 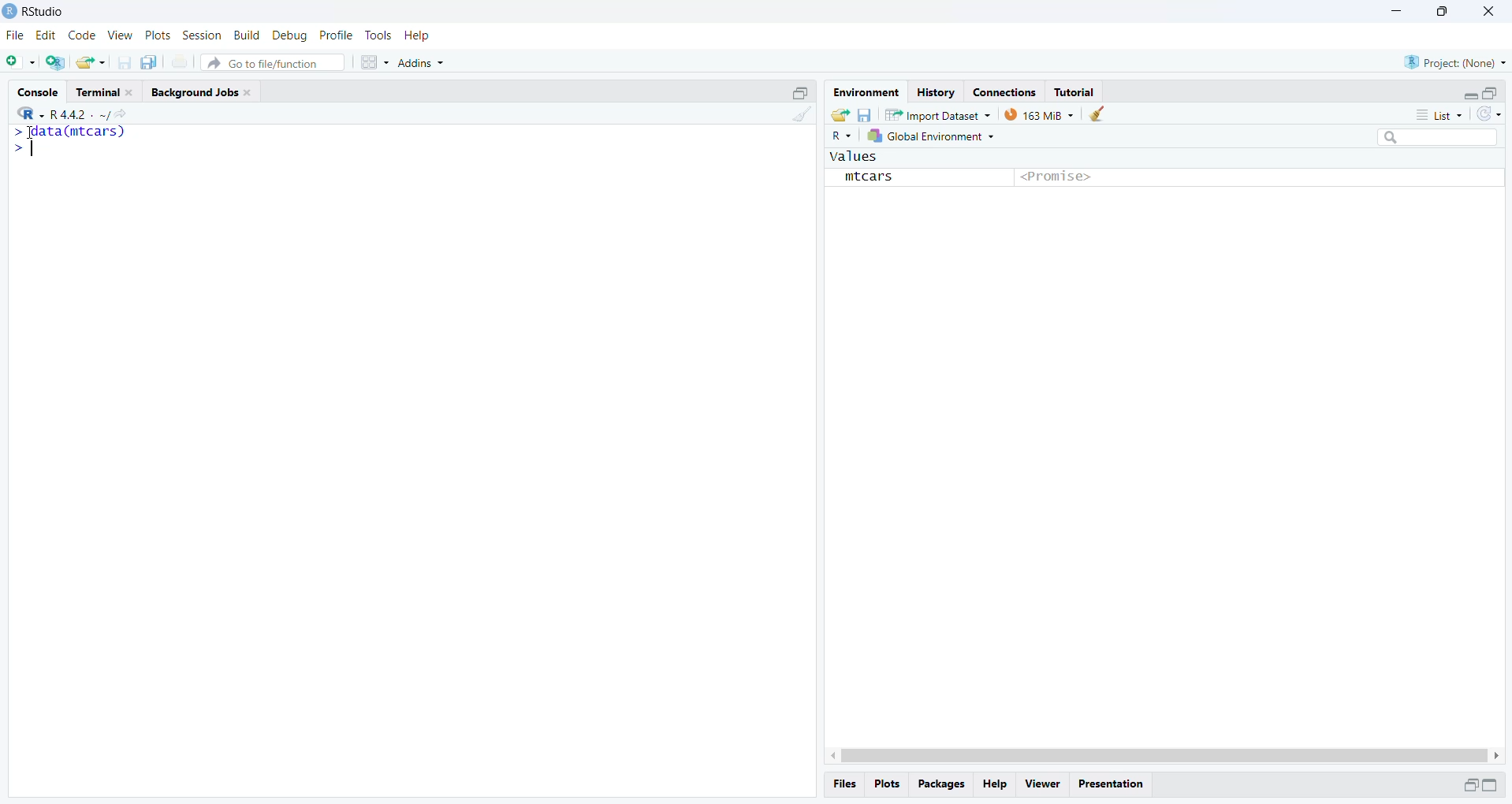 What do you see at coordinates (91, 62) in the screenshot?
I see `share as` at bounding box center [91, 62].